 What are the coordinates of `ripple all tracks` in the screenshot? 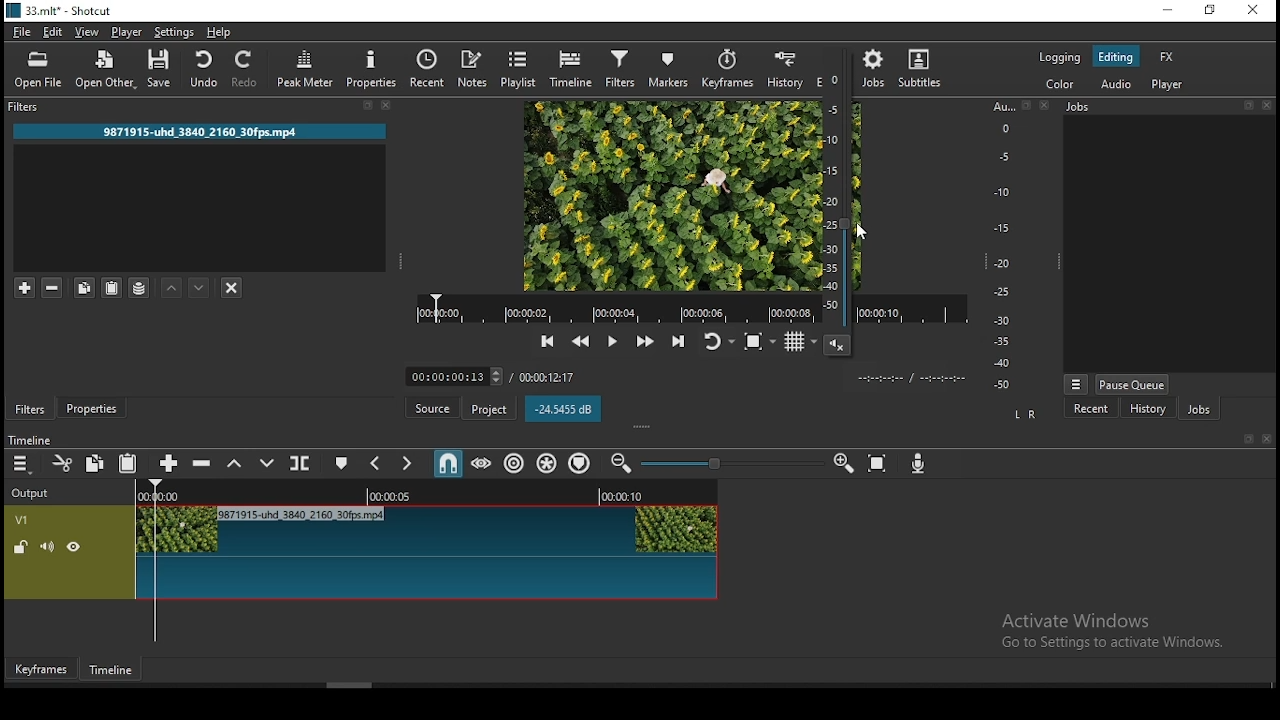 It's located at (546, 463).